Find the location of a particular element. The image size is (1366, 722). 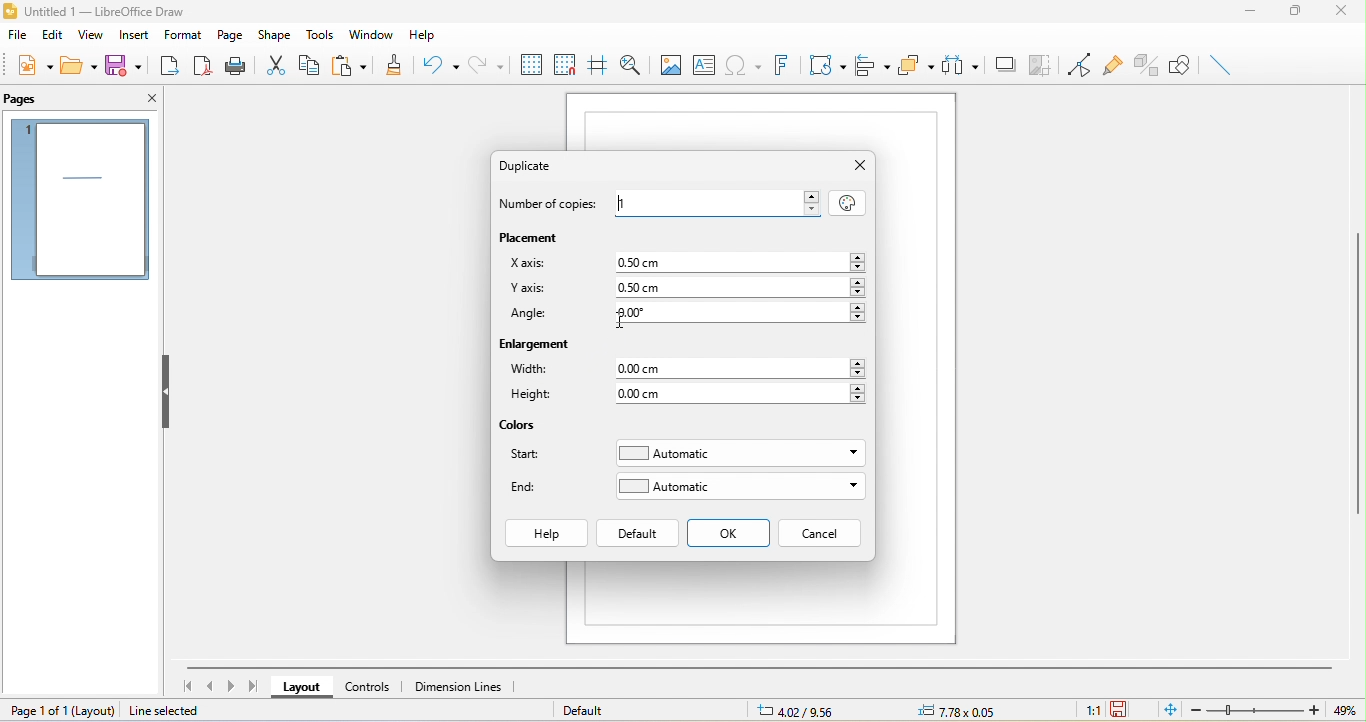

helping while moving is located at coordinates (596, 61).